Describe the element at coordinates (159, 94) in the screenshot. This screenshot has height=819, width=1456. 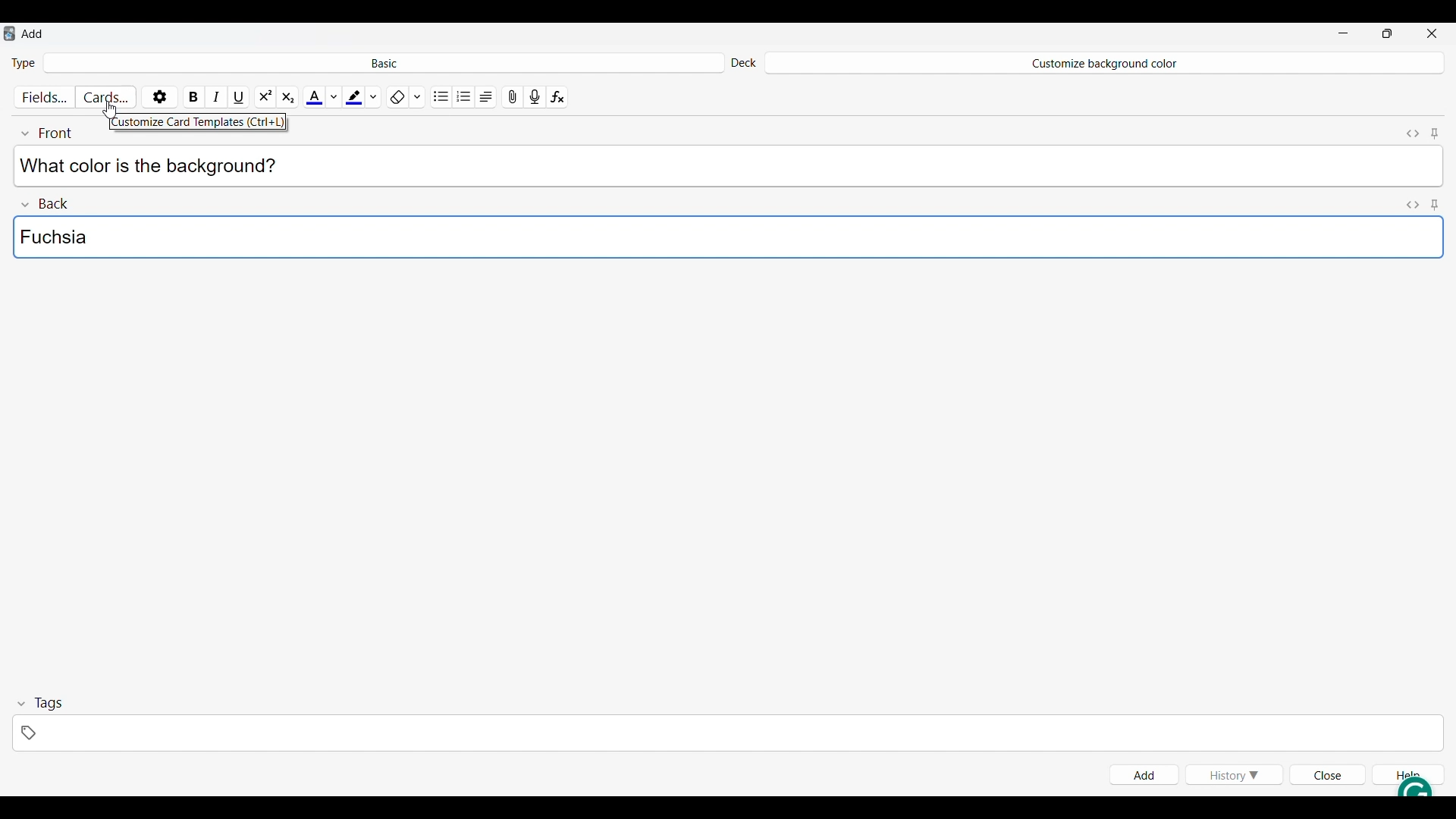
I see `Options` at that location.